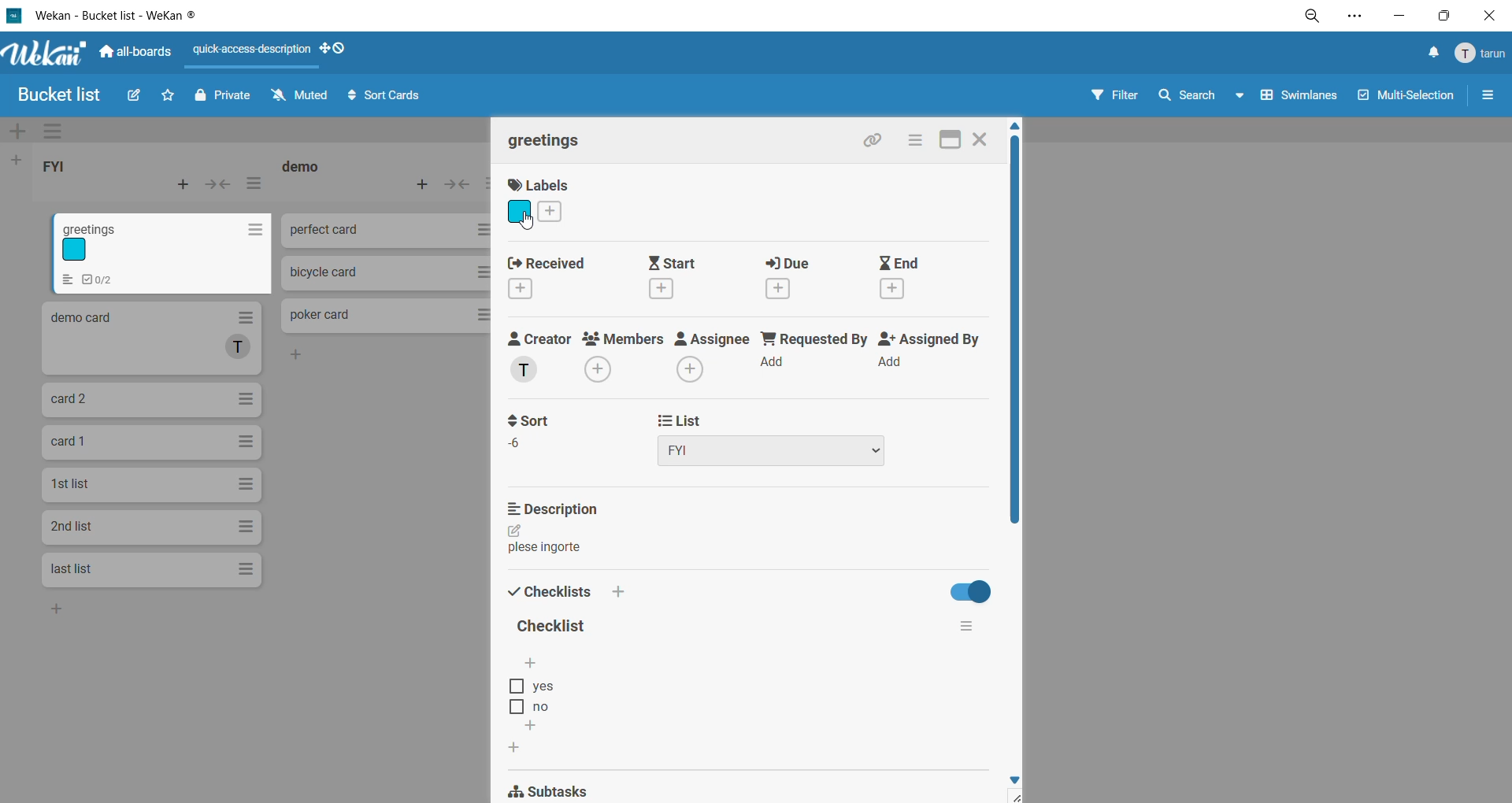 The image size is (1512, 803). Describe the element at coordinates (390, 97) in the screenshot. I see `sort cards` at that location.